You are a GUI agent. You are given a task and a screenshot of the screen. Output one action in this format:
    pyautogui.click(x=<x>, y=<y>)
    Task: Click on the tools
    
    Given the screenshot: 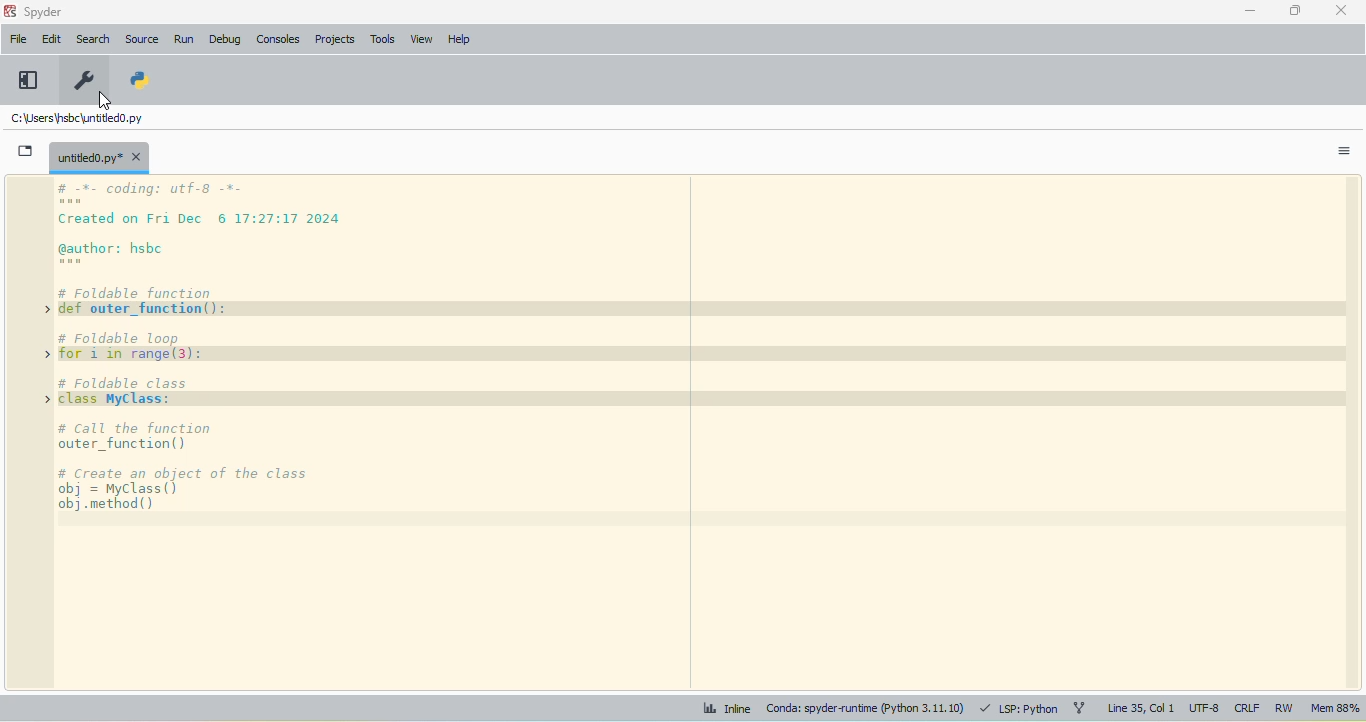 What is the action you would take?
    pyautogui.click(x=382, y=39)
    